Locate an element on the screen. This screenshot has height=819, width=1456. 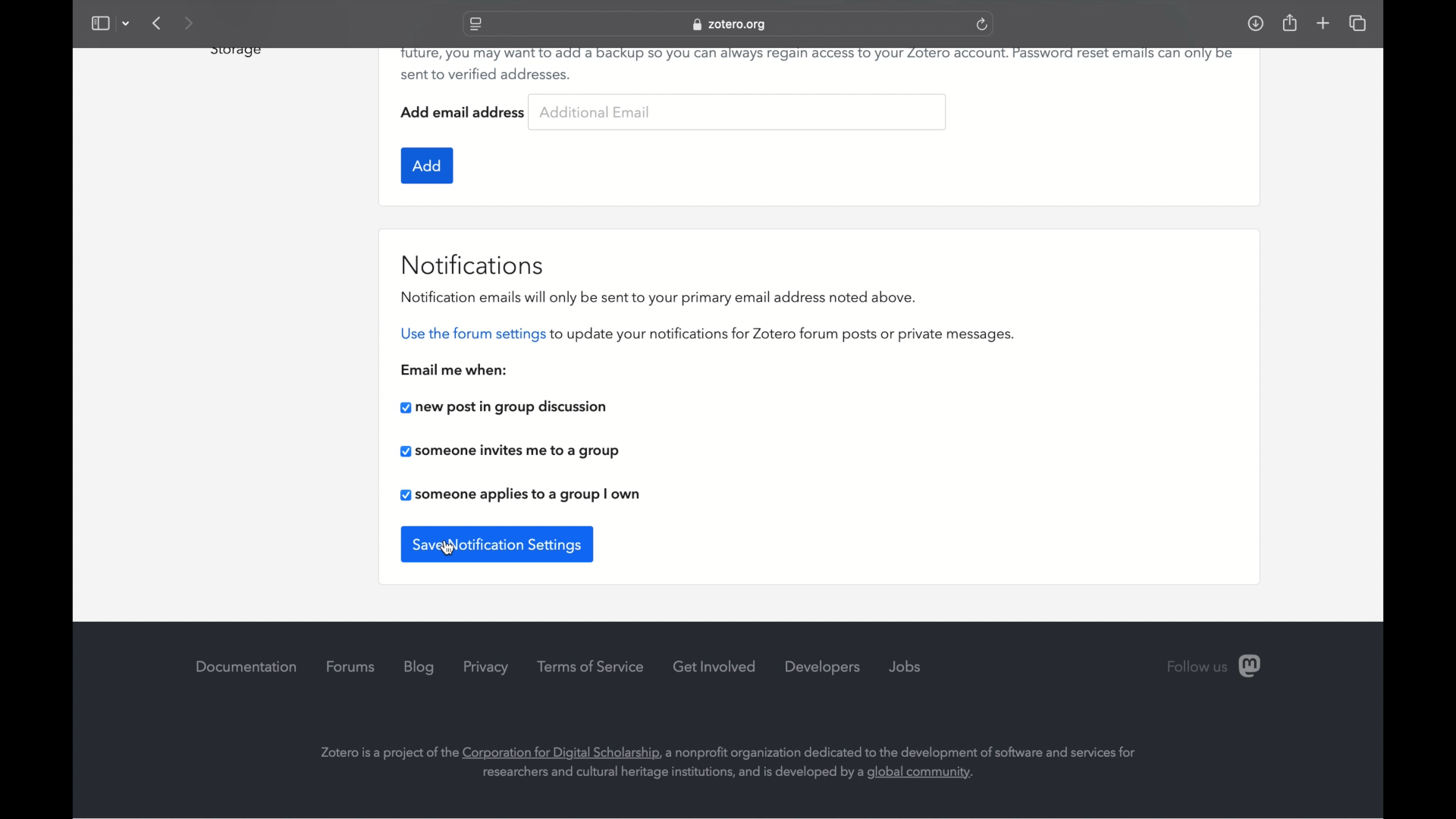
get involved is located at coordinates (715, 667).